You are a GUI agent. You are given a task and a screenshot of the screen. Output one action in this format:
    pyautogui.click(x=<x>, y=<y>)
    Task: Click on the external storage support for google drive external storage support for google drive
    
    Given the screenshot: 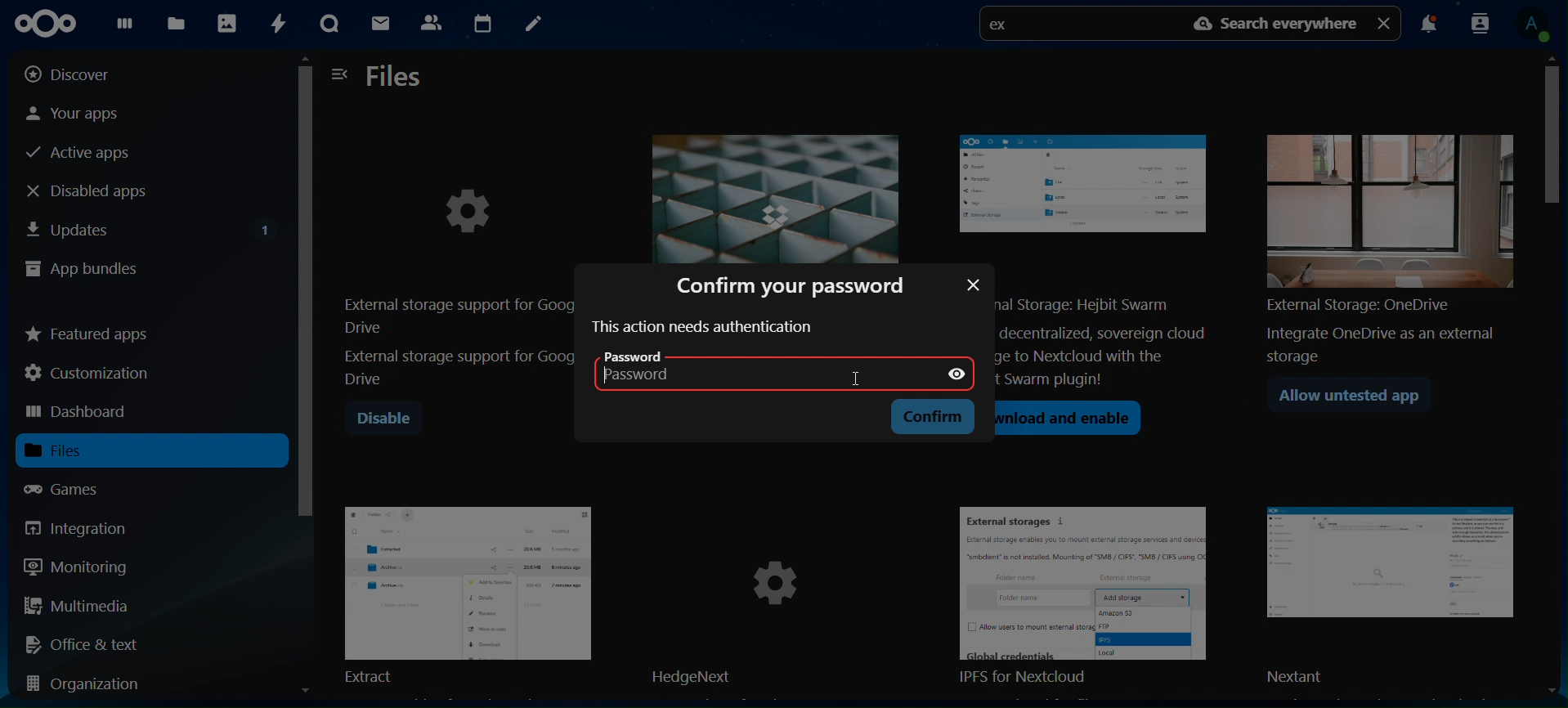 What is the action you would take?
    pyautogui.click(x=457, y=270)
    